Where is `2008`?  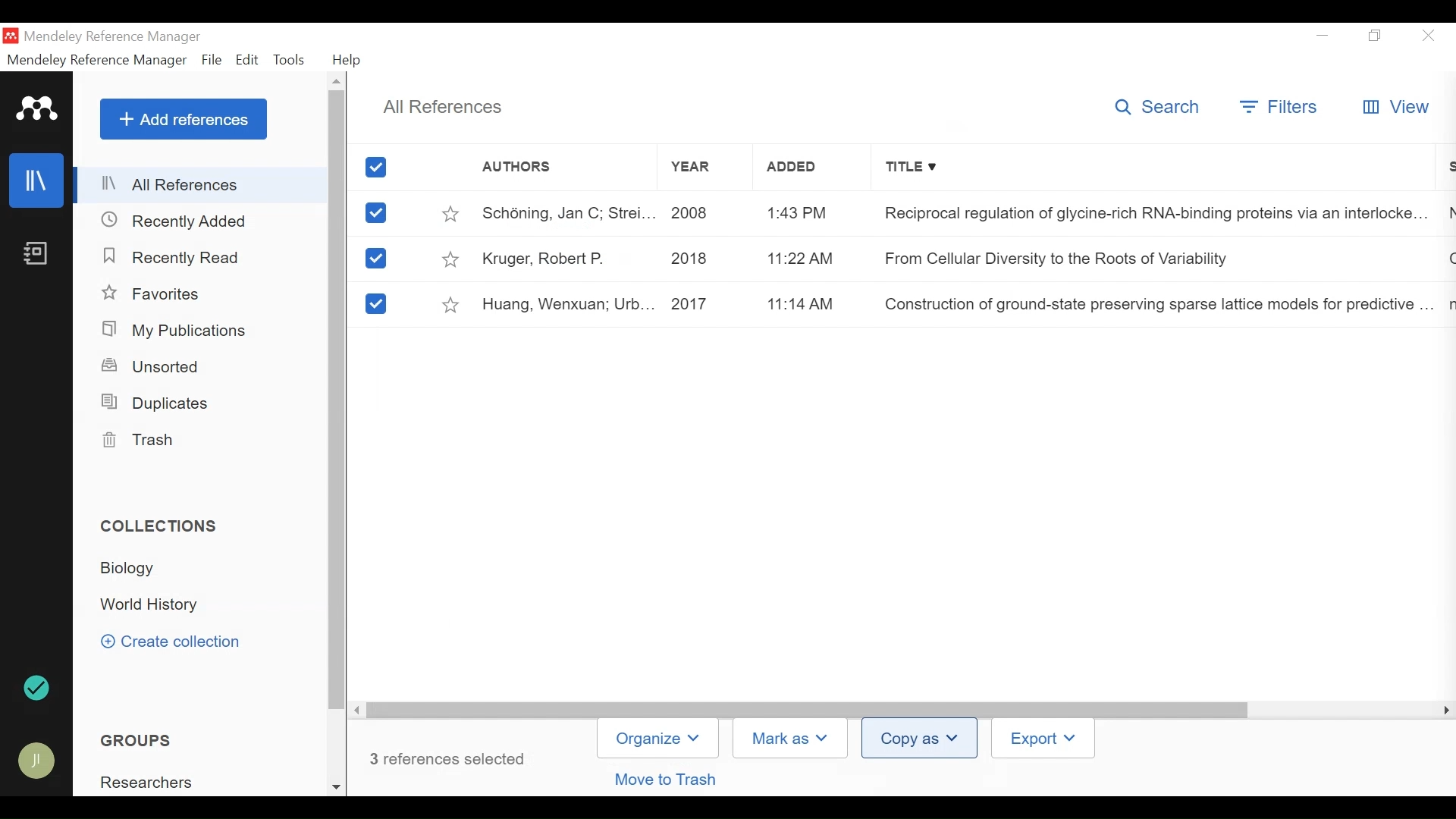 2008 is located at coordinates (703, 212).